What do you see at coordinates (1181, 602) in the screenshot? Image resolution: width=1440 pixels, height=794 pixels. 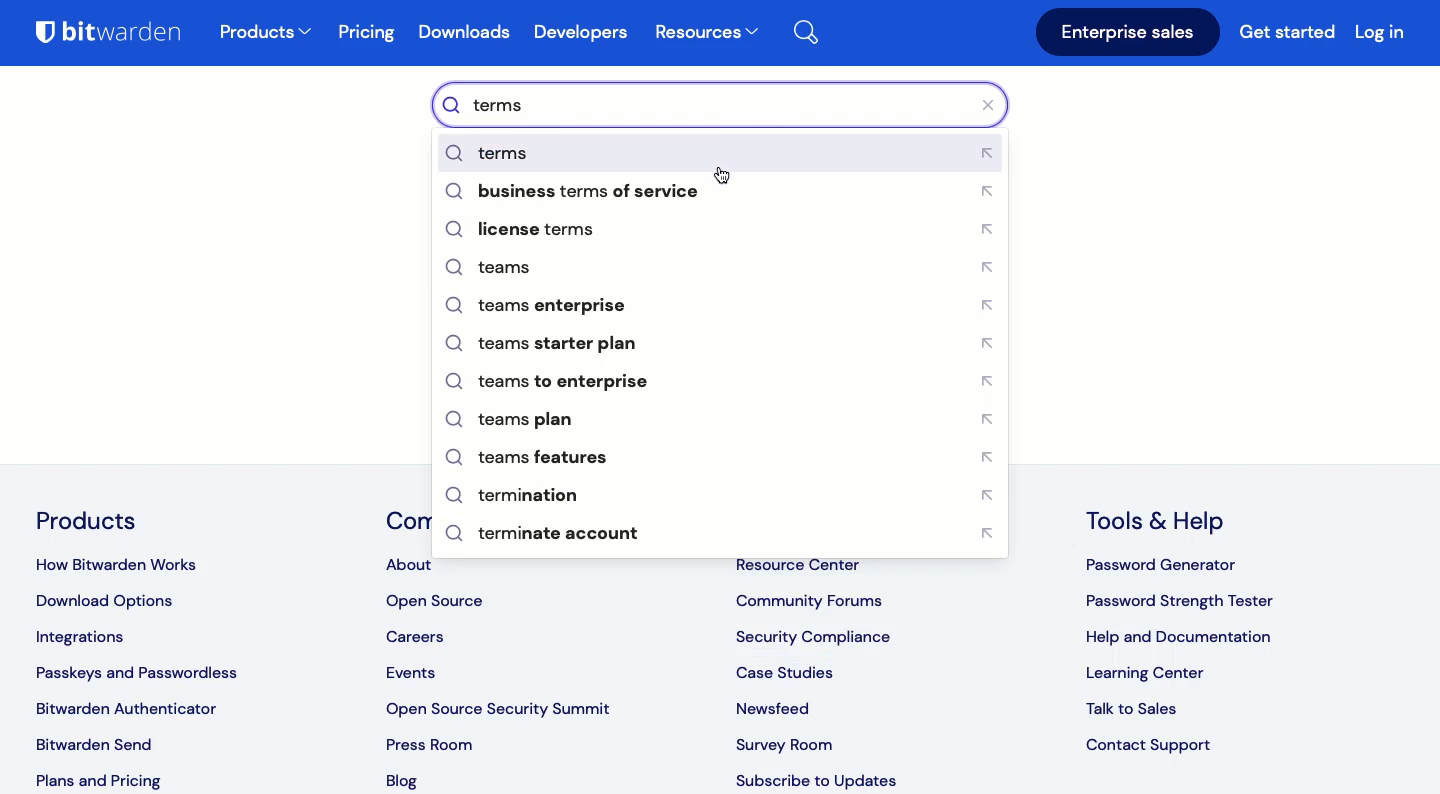 I see `password strength tester` at bounding box center [1181, 602].